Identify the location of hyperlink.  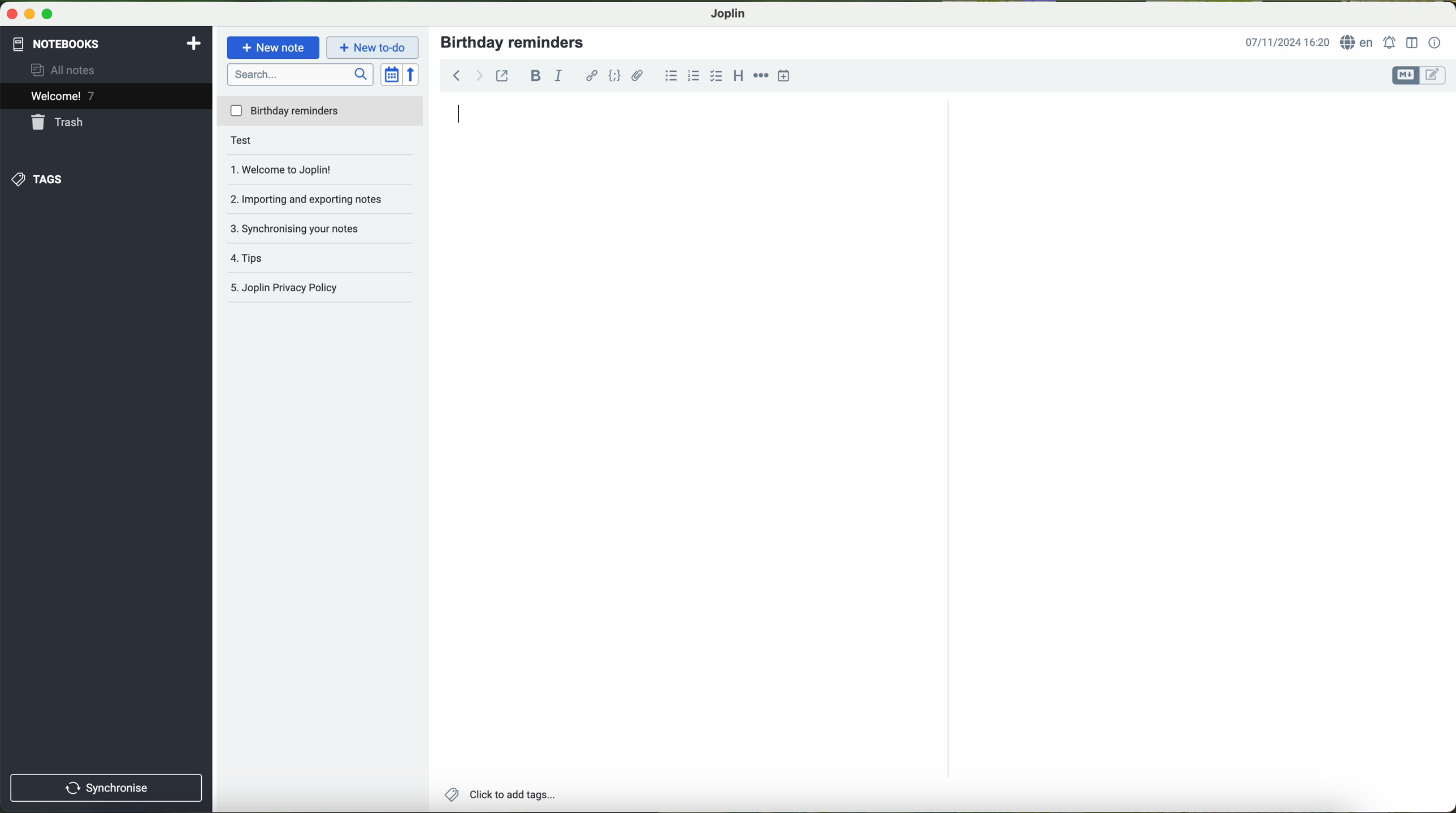
(589, 76).